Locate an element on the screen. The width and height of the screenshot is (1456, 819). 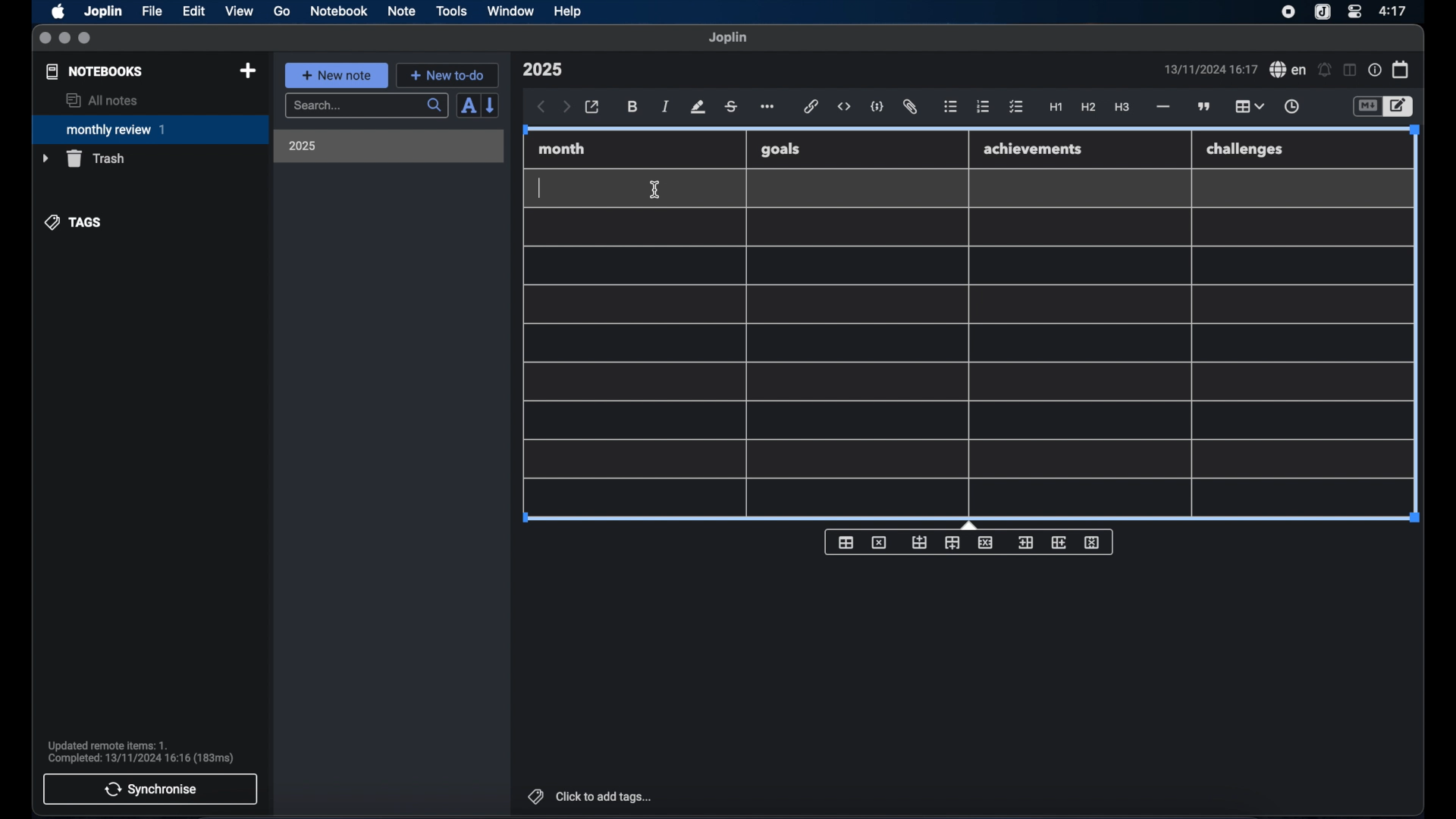
search bar is located at coordinates (366, 107).